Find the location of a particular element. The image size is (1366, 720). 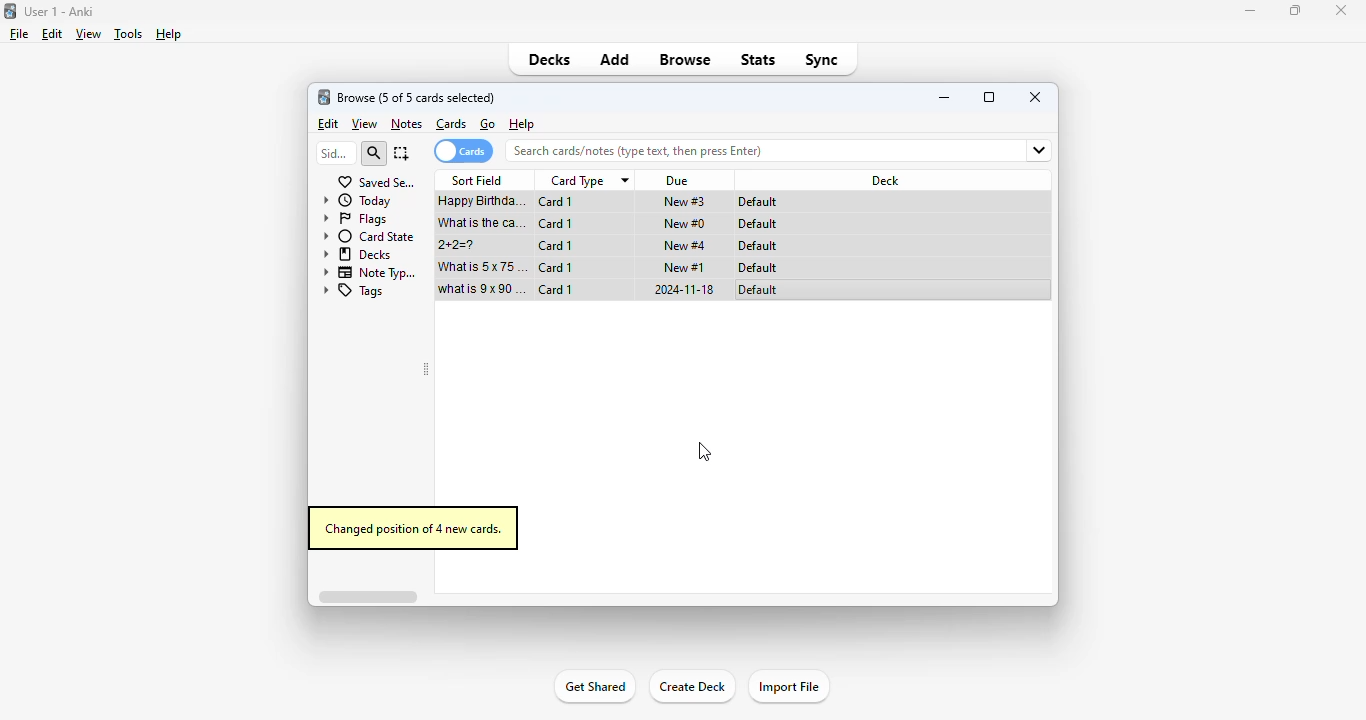

file is located at coordinates (19, 34).